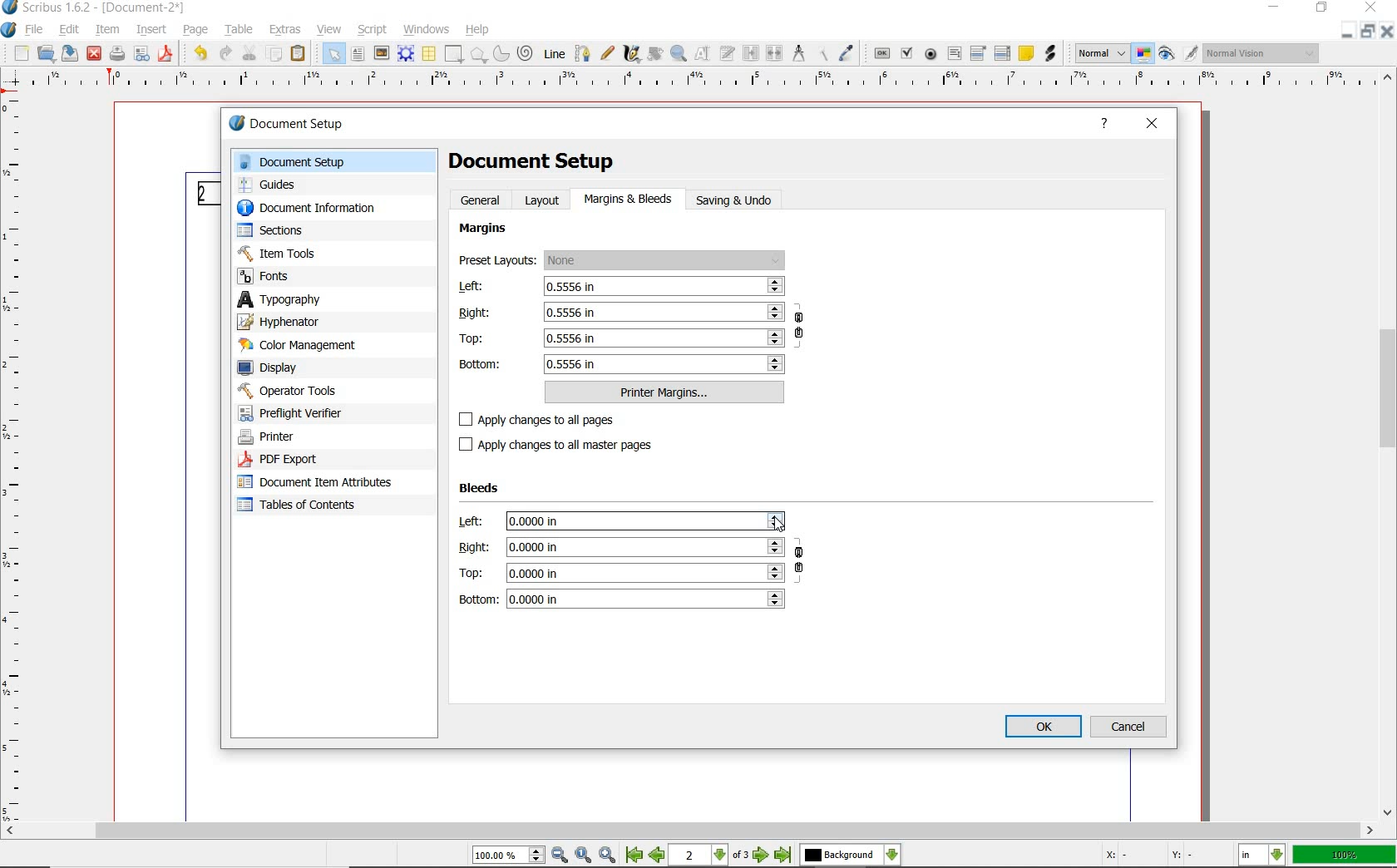  Describe the element at coordinates (774, 53) in the screenshot. I see `unlink text frames` at that location.